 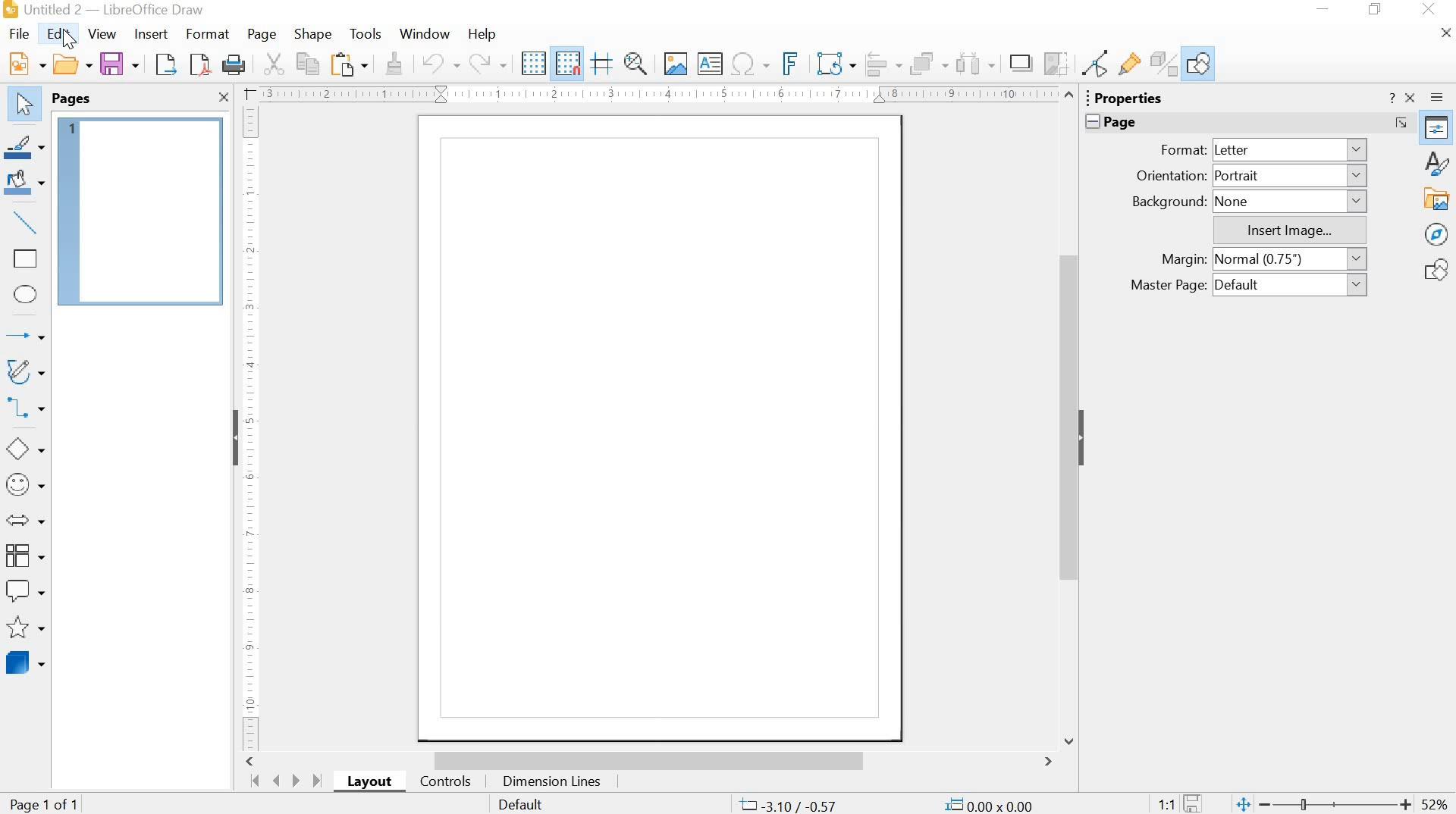 What do you see at coordinates (974, 61) in the screenshot?
I see `Select at least three objects to distribute` at bounding box center [974, 61].